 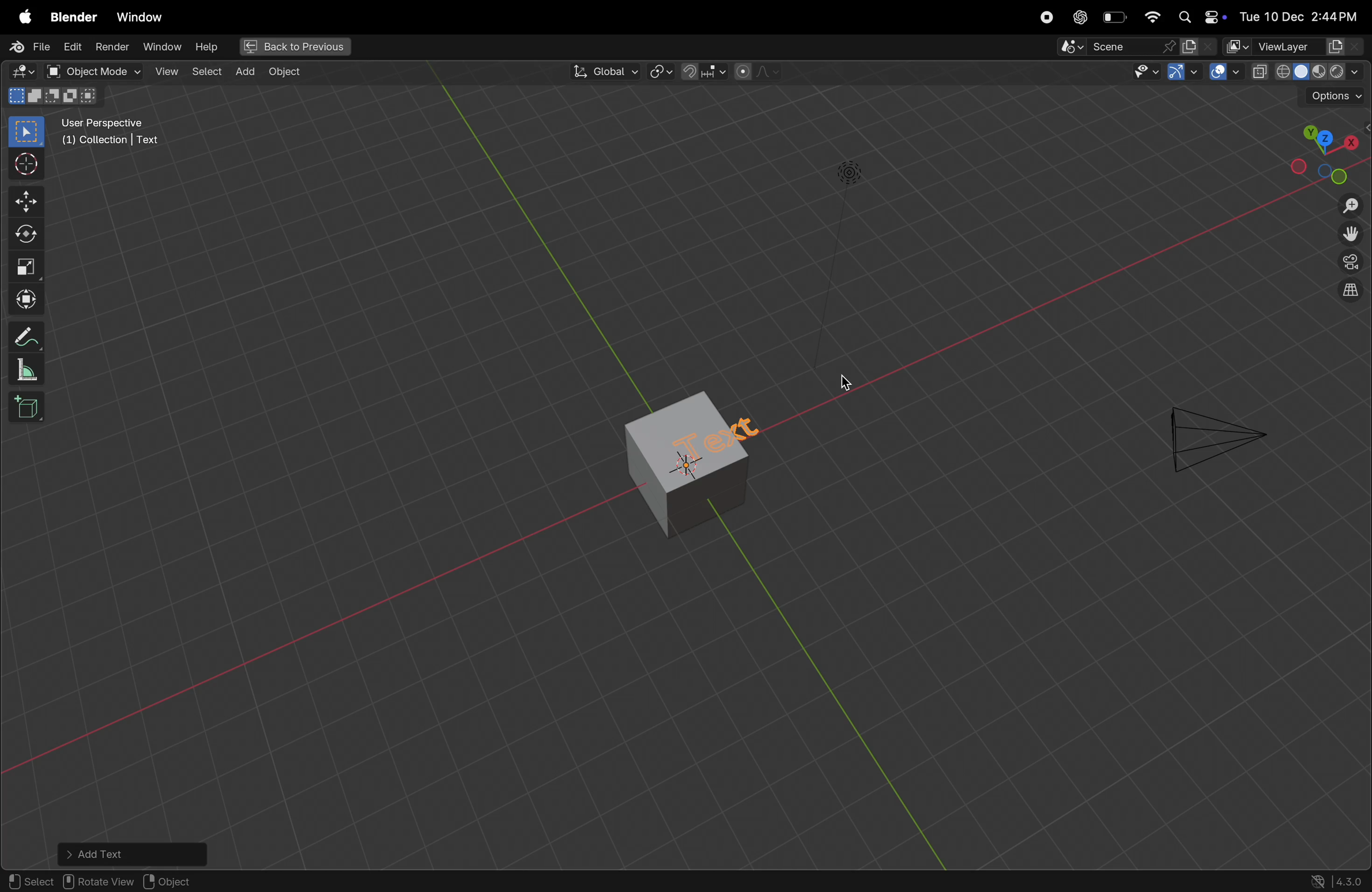 I want to click on File, so click(x=31, y=46).